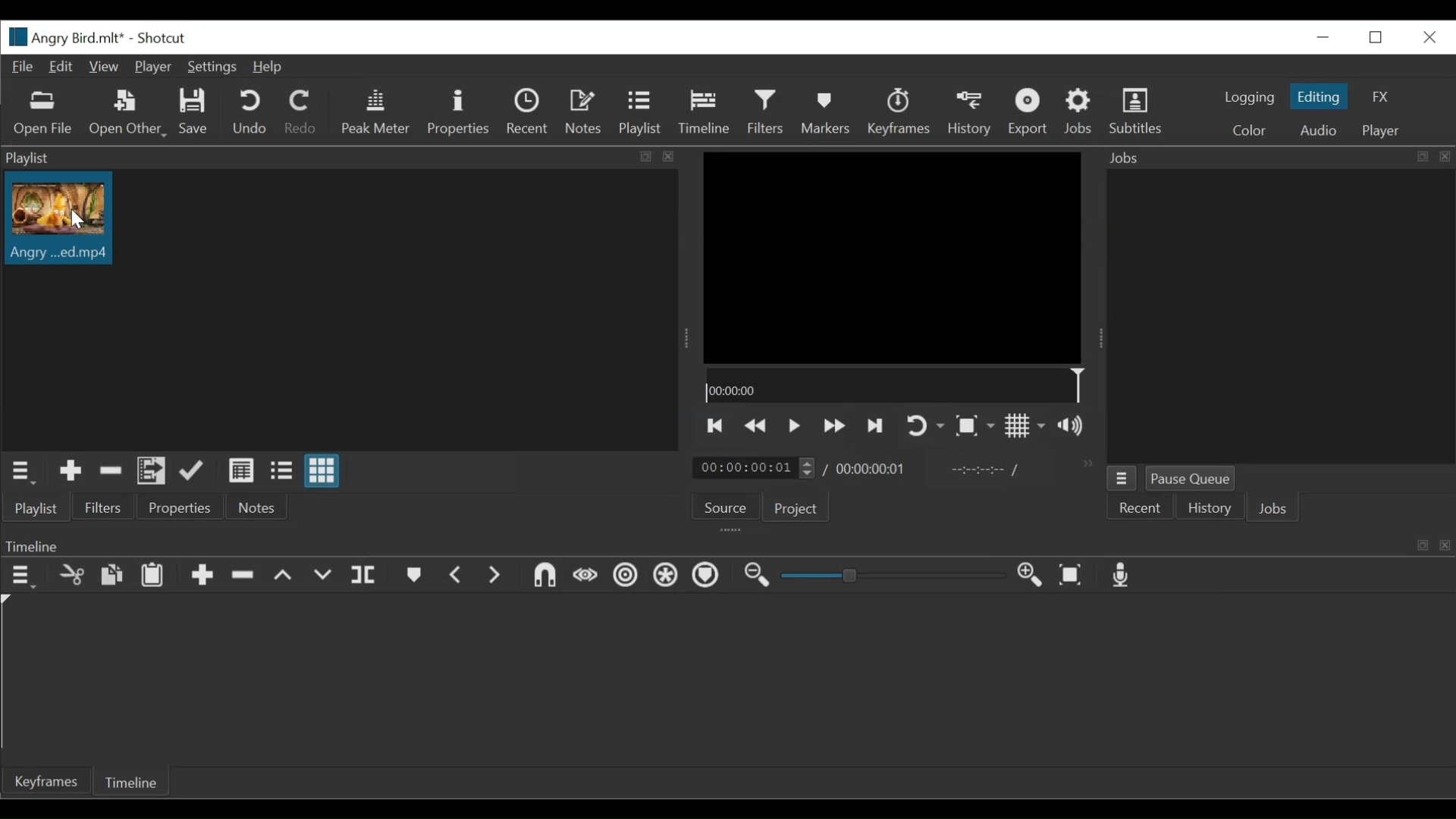 The image size is (1456, 819). What do you see at coordinates (1193, 479) in the screenshot?
I see `Pause Queue` at bounding box center [1193, 479].